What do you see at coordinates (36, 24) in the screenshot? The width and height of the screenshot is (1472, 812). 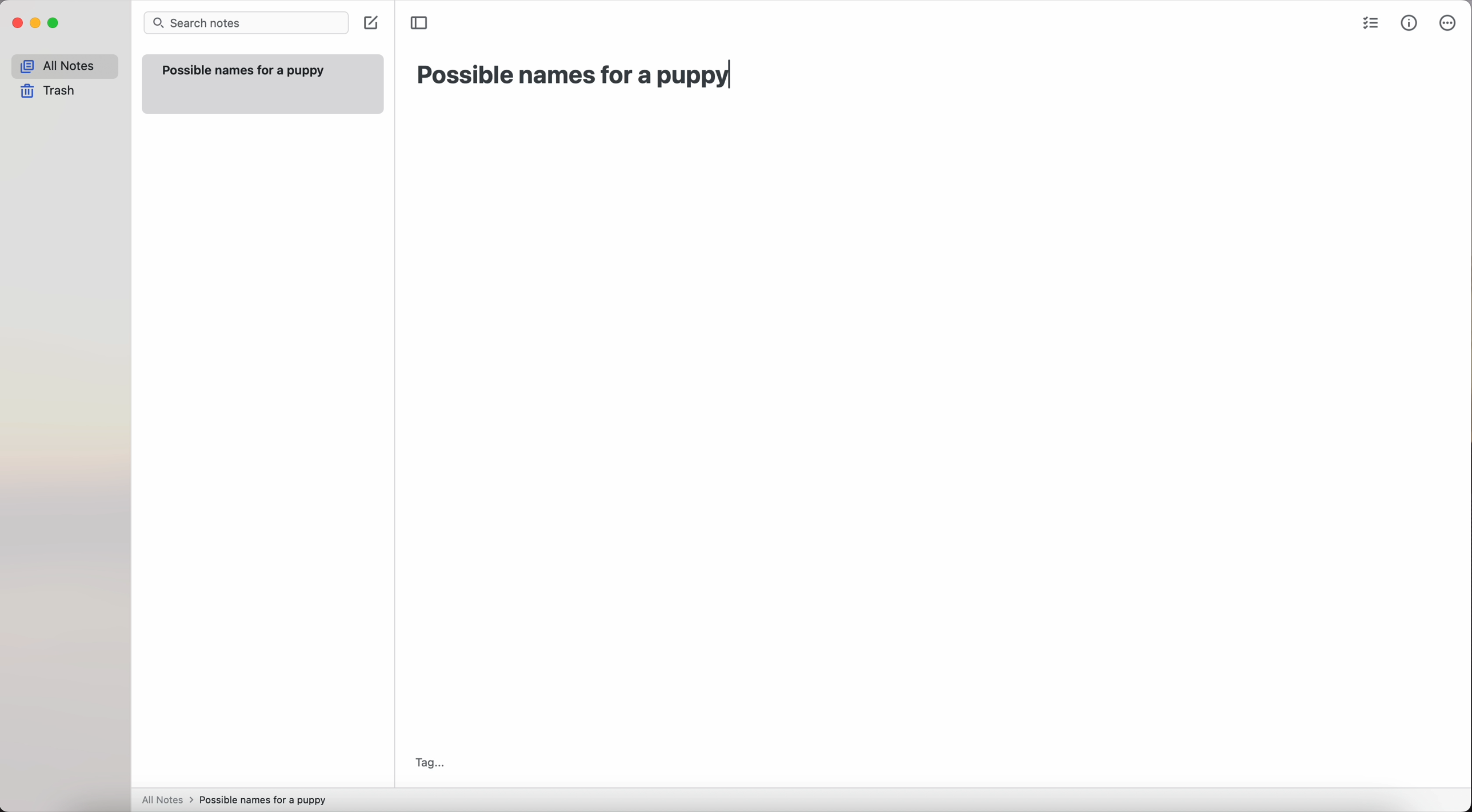 I see `minimize` at bounding box center [36, 24].